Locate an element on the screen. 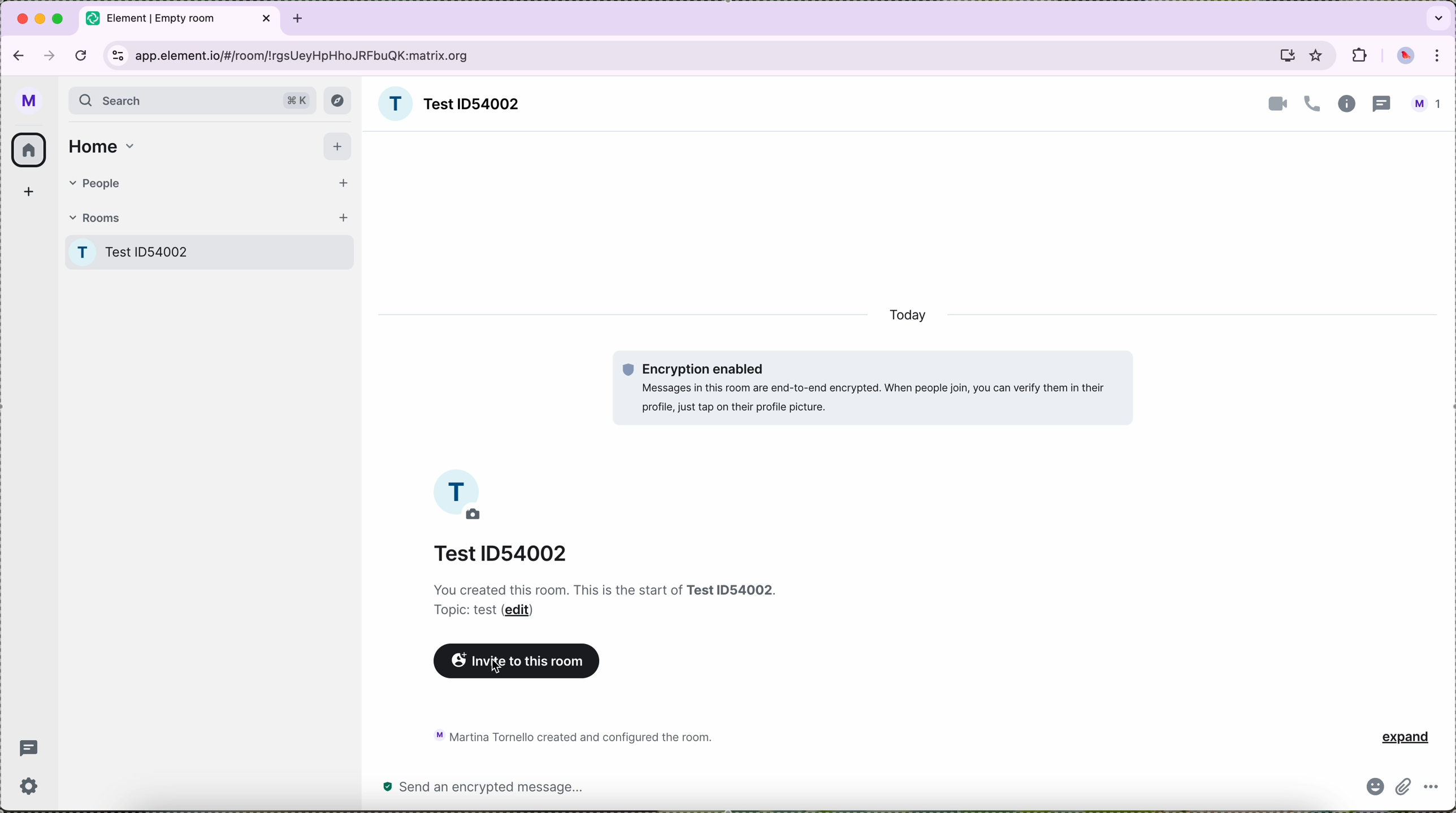  close Google Chrome is located at coordinates (23, 18).